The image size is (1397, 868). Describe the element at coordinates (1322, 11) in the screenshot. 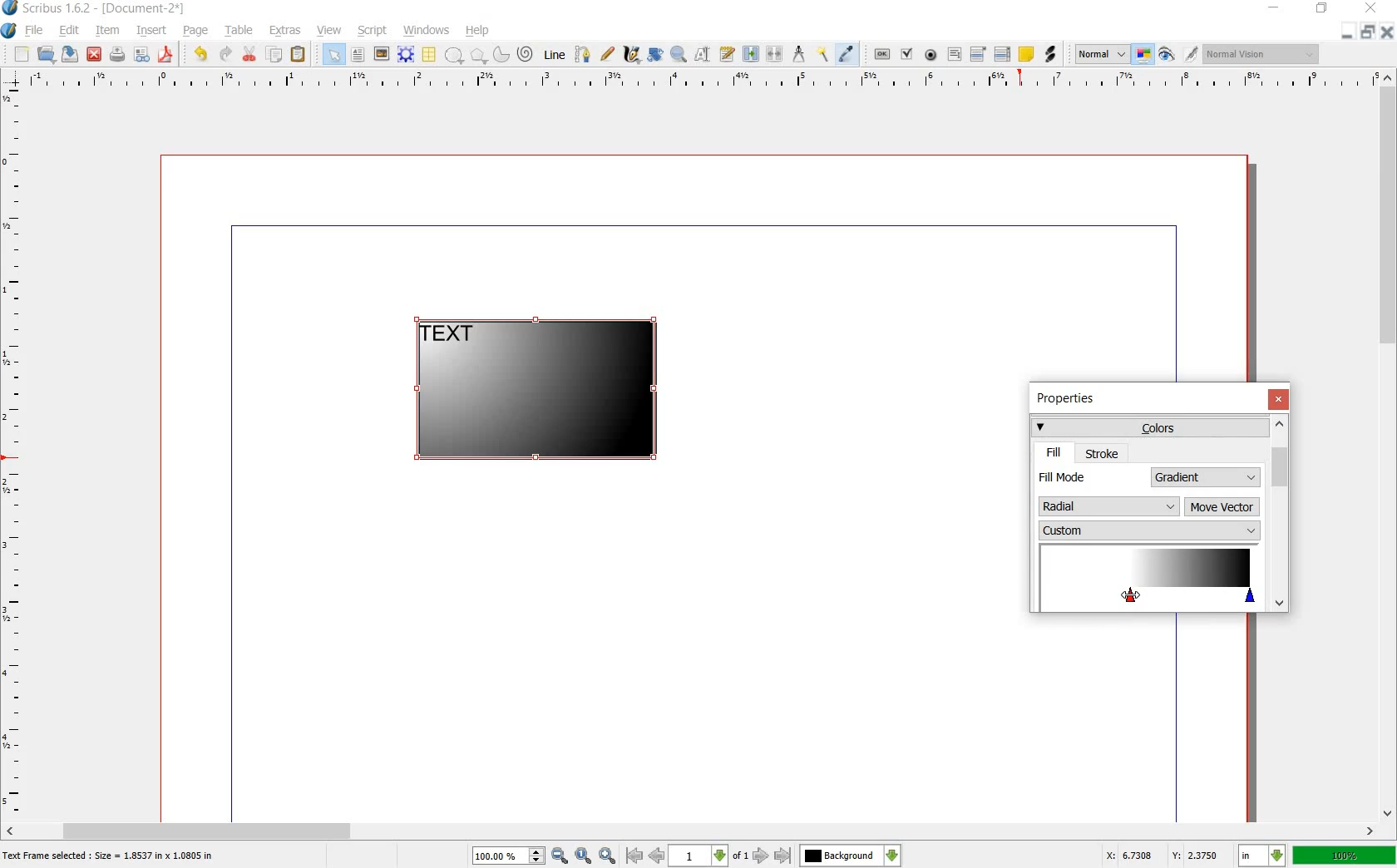

I see `restore` at that location.